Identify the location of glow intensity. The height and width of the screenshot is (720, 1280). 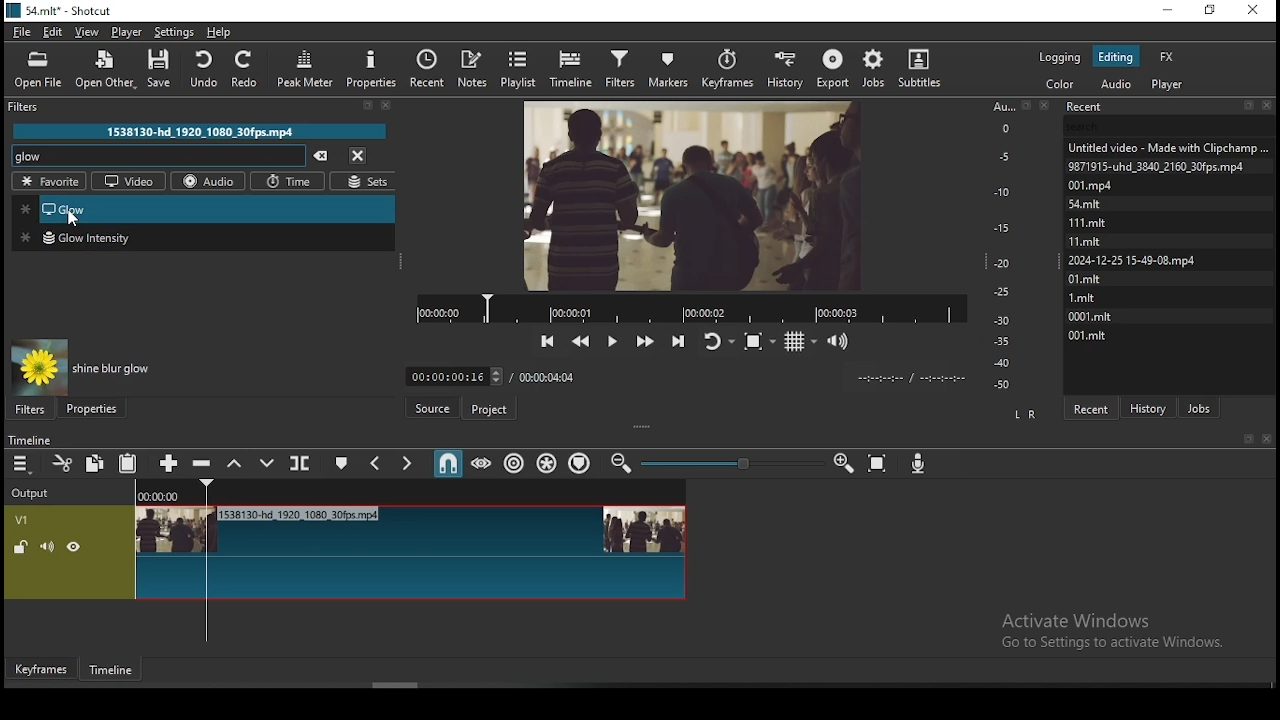
(206, 237).